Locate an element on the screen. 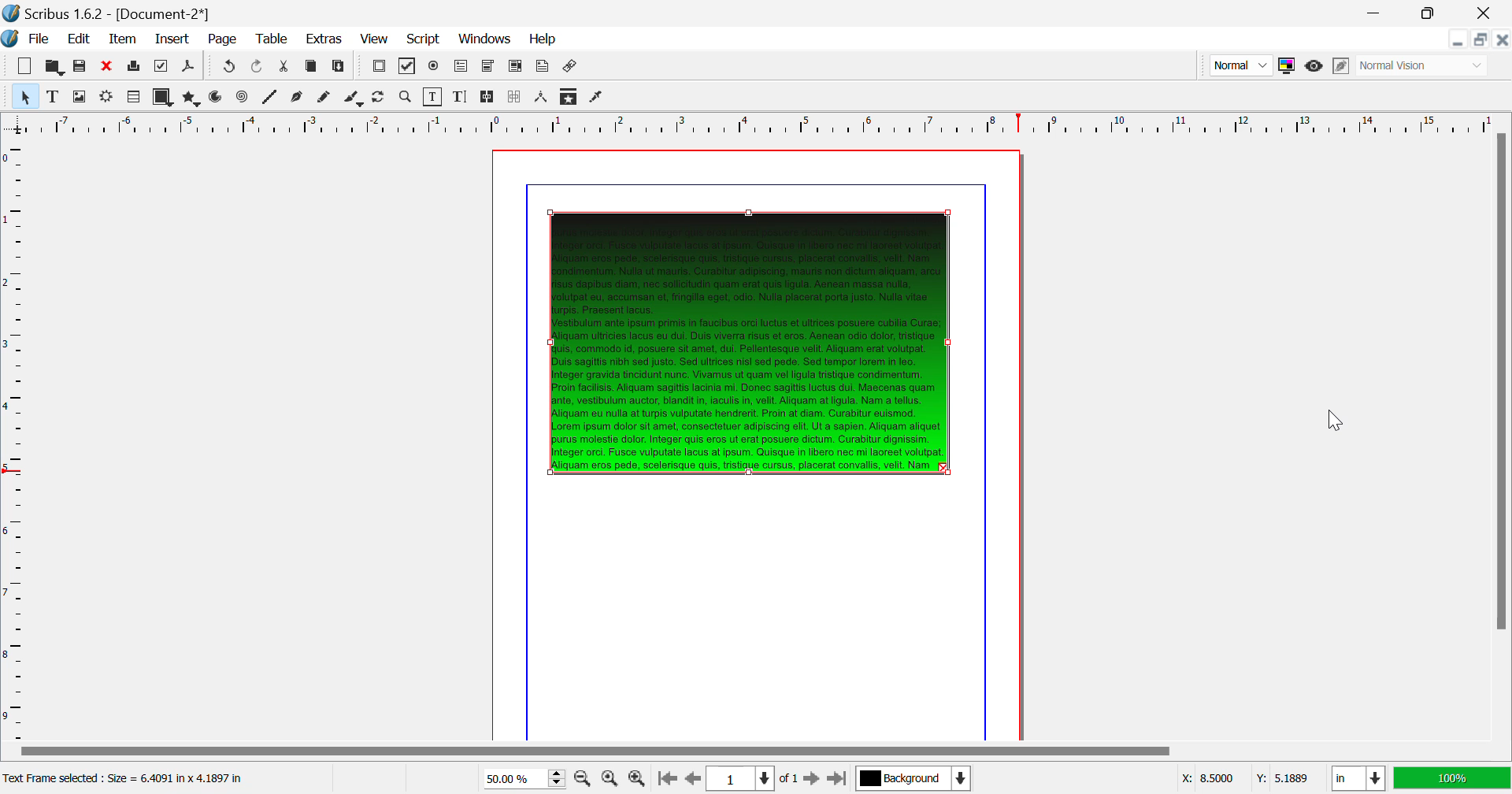 This screenshot has height=794, width=1512. Undo is located at coordinates (259, 68).